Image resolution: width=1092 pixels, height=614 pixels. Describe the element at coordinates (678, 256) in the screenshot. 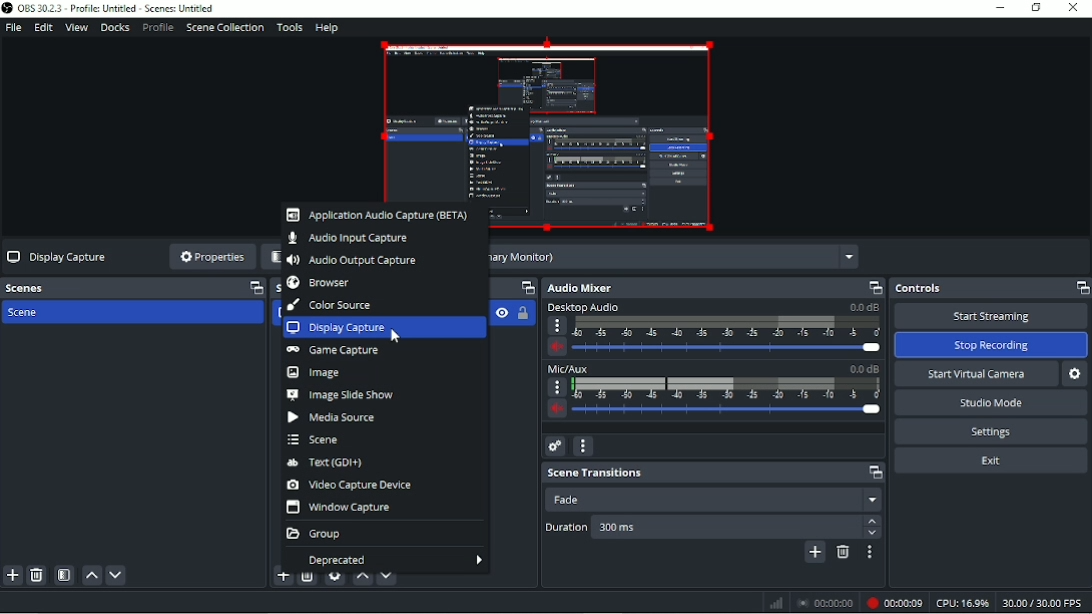

I see `Display` at that location.